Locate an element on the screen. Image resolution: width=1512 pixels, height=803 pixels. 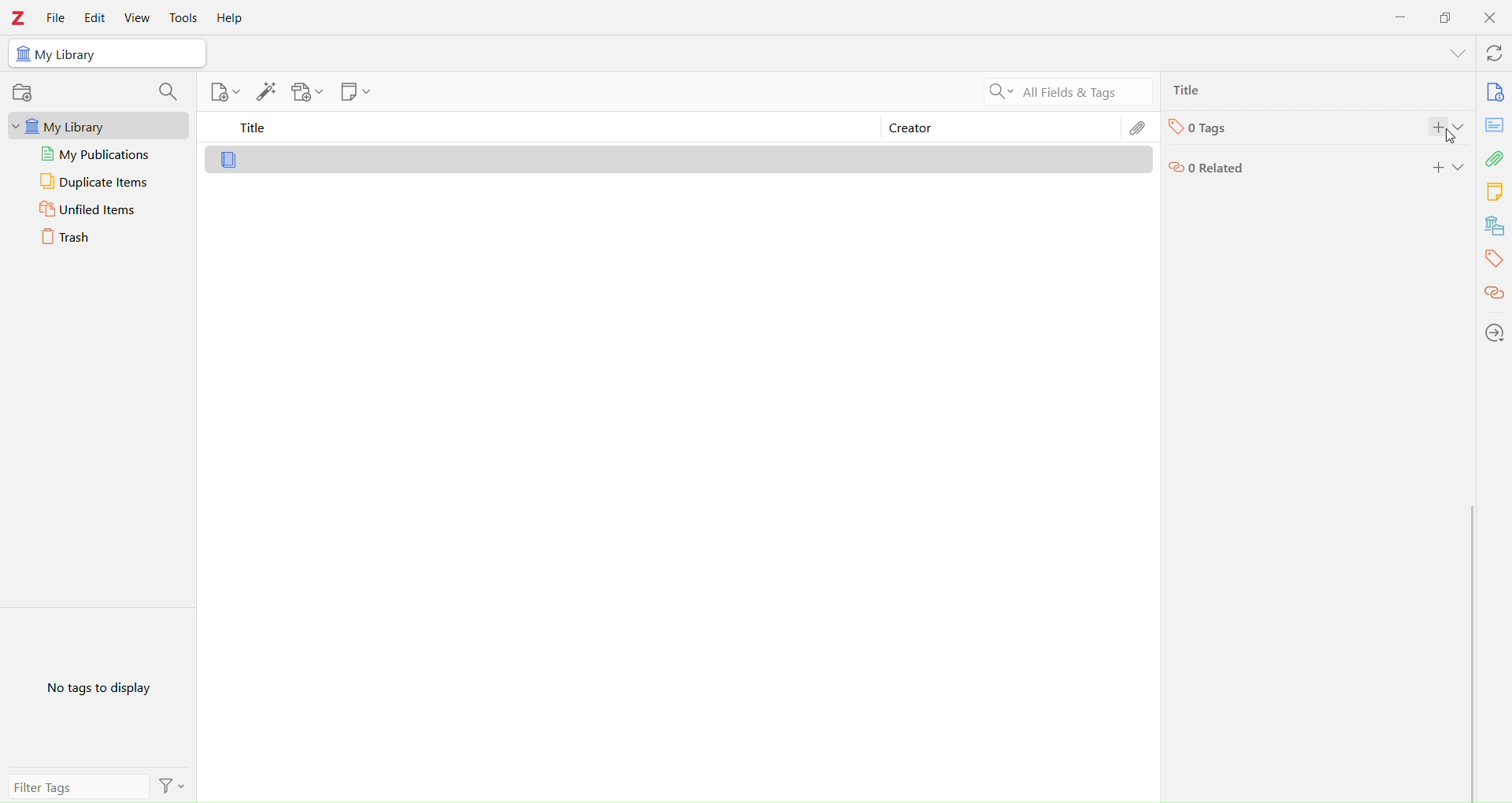
Creator is located at coordinates (992, 129).